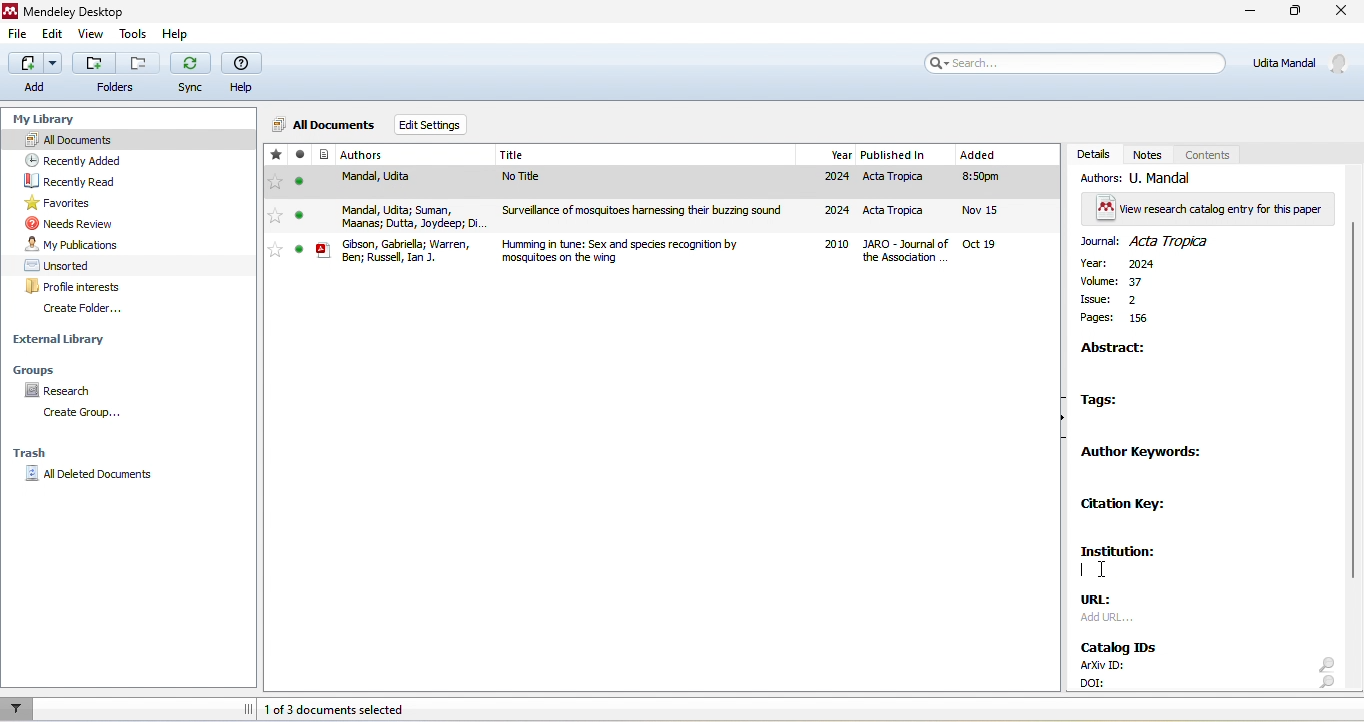  Describe the element at coordinates (276, 156) in the screenshot. I see `add this reference to favourites ` at that location.